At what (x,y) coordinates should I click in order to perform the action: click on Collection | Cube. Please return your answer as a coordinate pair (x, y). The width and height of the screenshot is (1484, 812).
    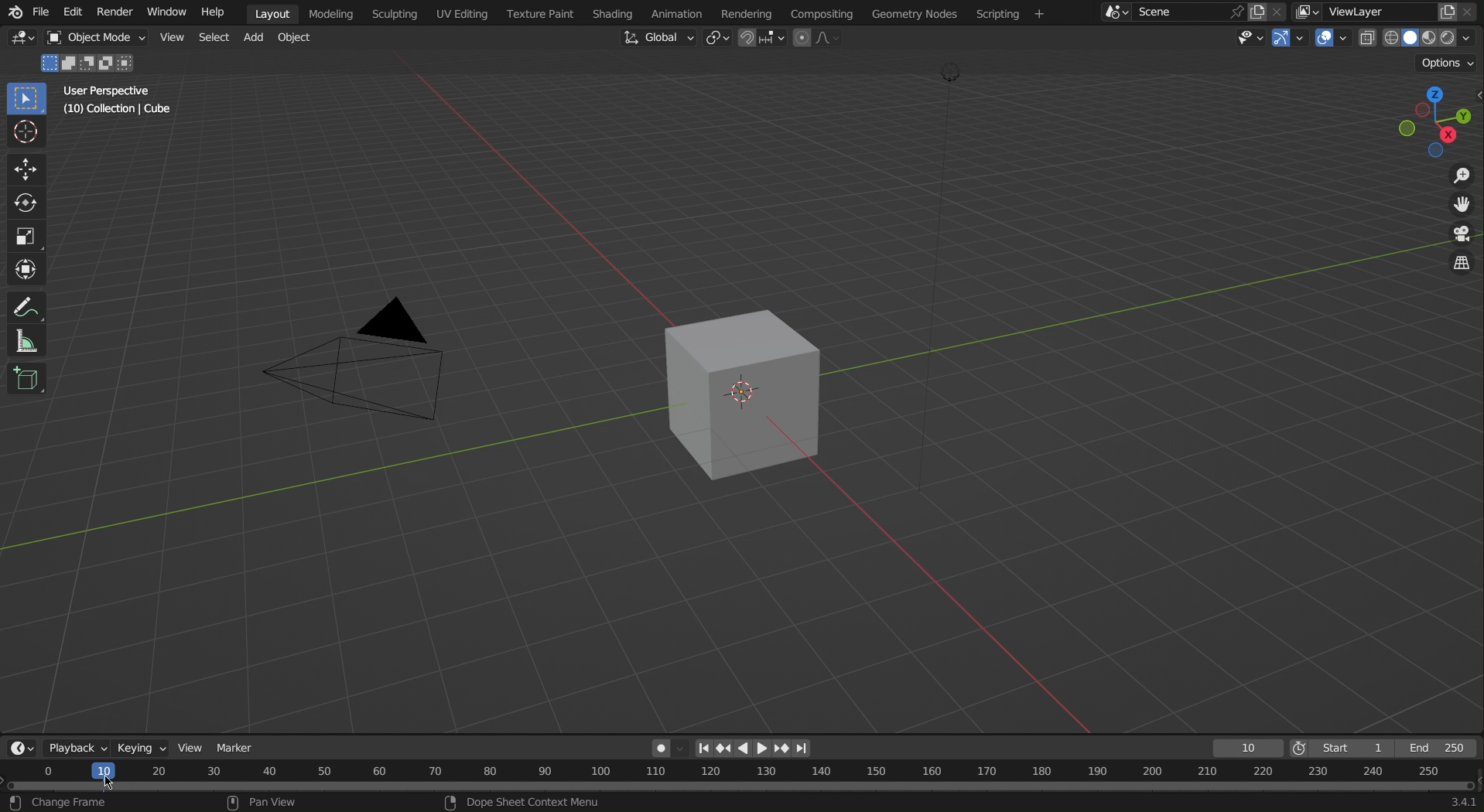
    Looking at the image, I should click on (116, 109).